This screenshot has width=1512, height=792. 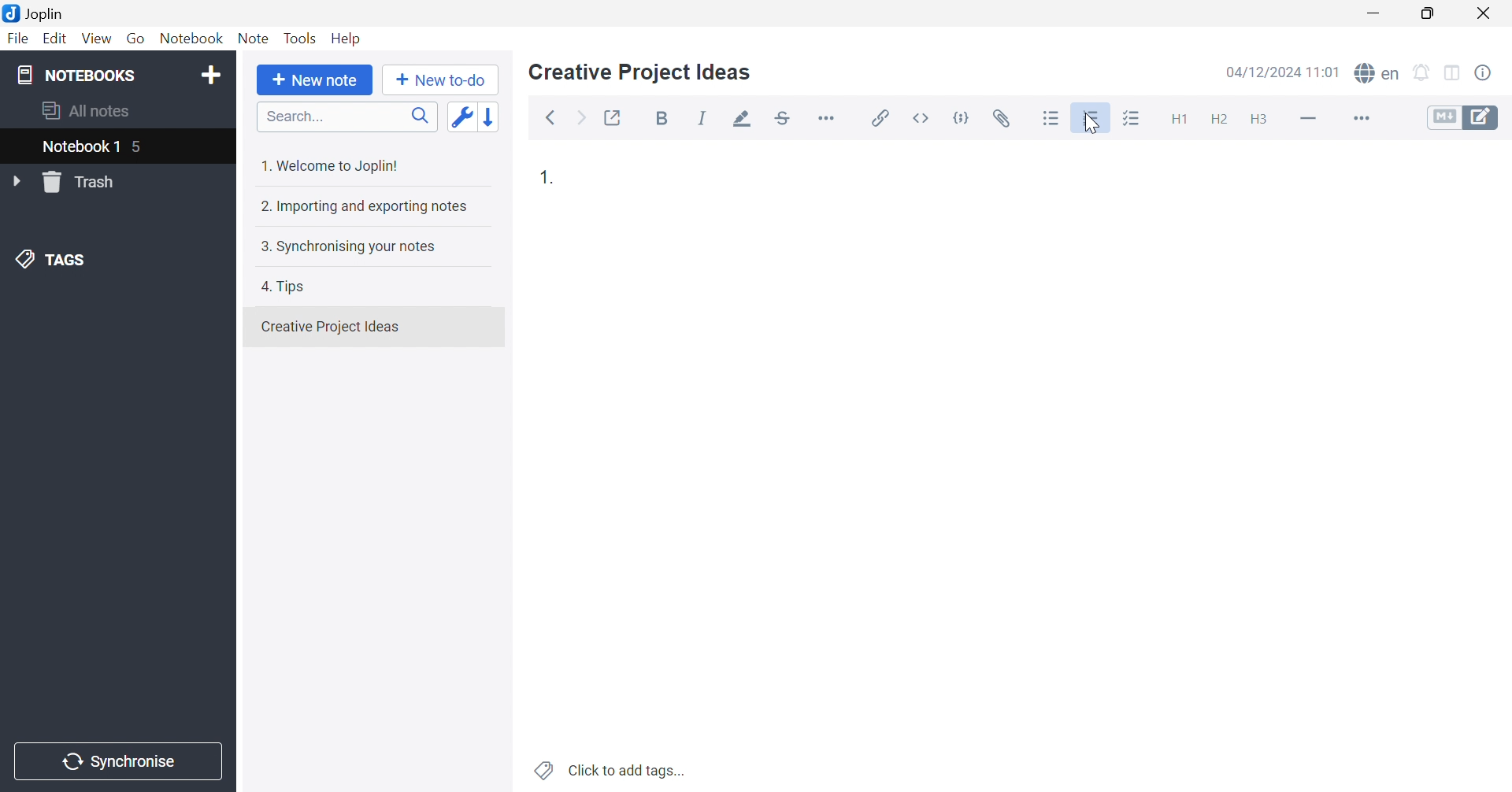 What do you see at coordinates (350, 247) in the screenshot?
I see `3. Synchronising your notes` at bounding box center [350, 247].